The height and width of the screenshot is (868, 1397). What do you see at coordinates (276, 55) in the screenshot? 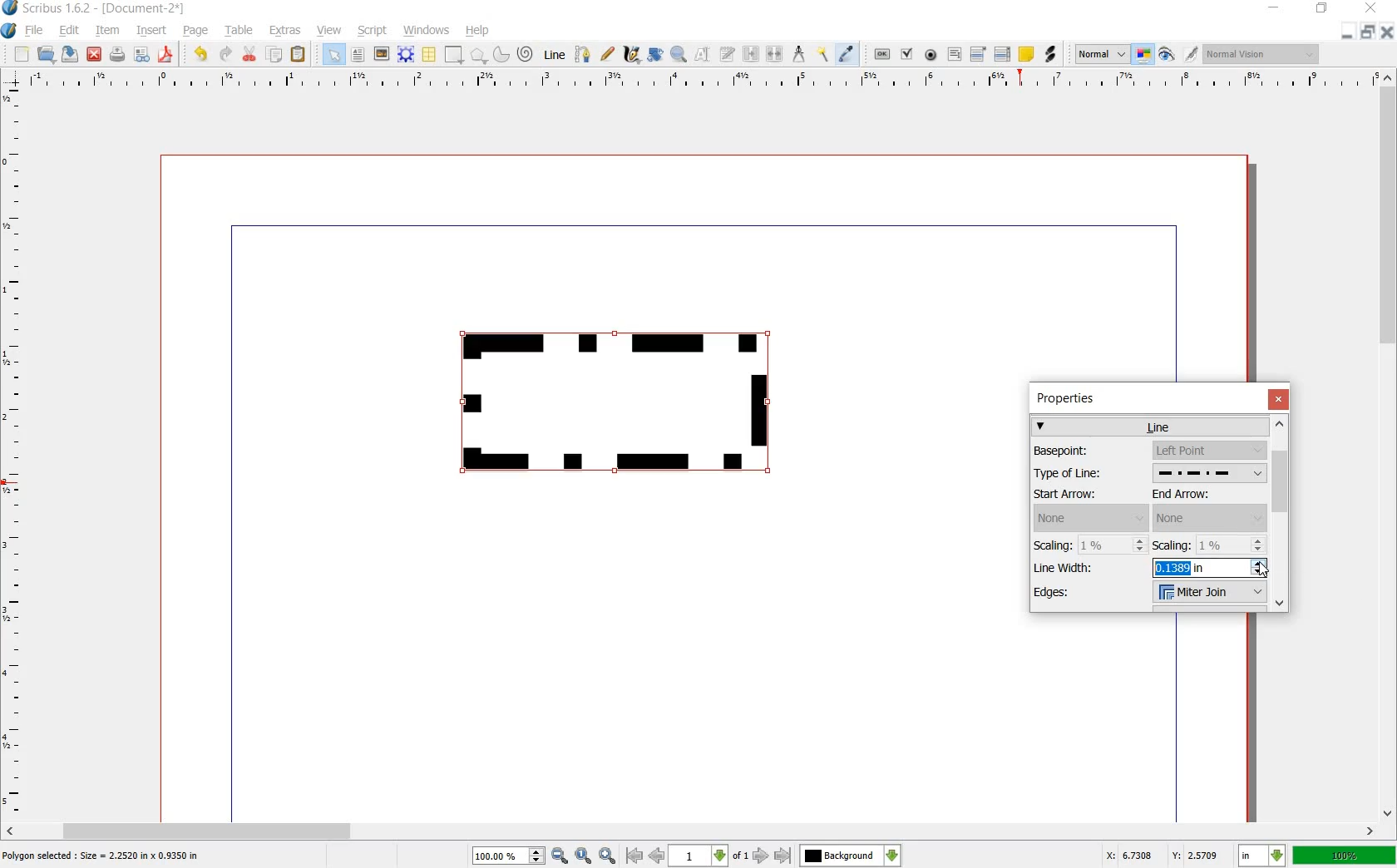
I see `COPY` at bounding box center [276, 55].